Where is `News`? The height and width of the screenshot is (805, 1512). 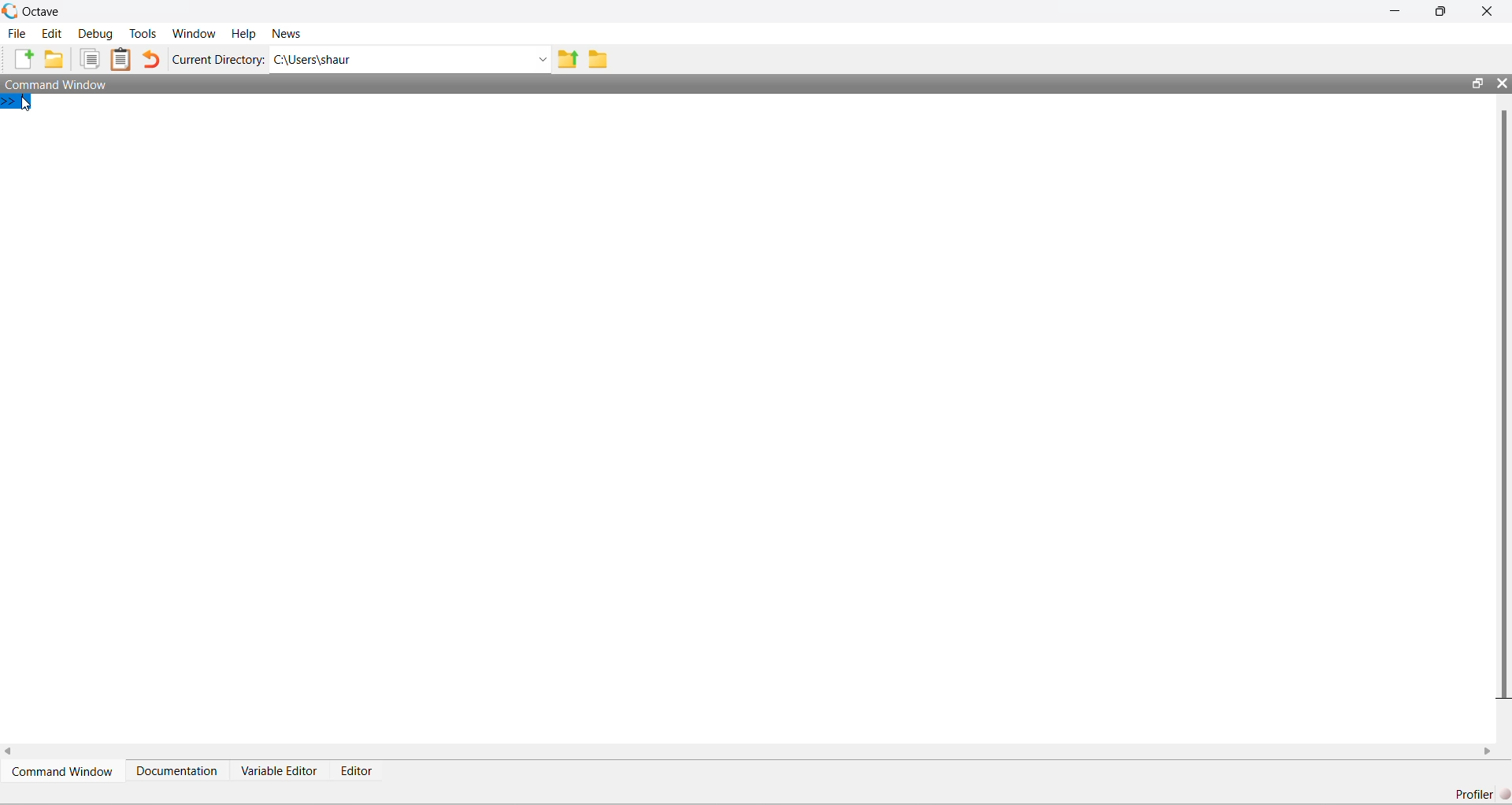
News is located at coordinates (287, 33).